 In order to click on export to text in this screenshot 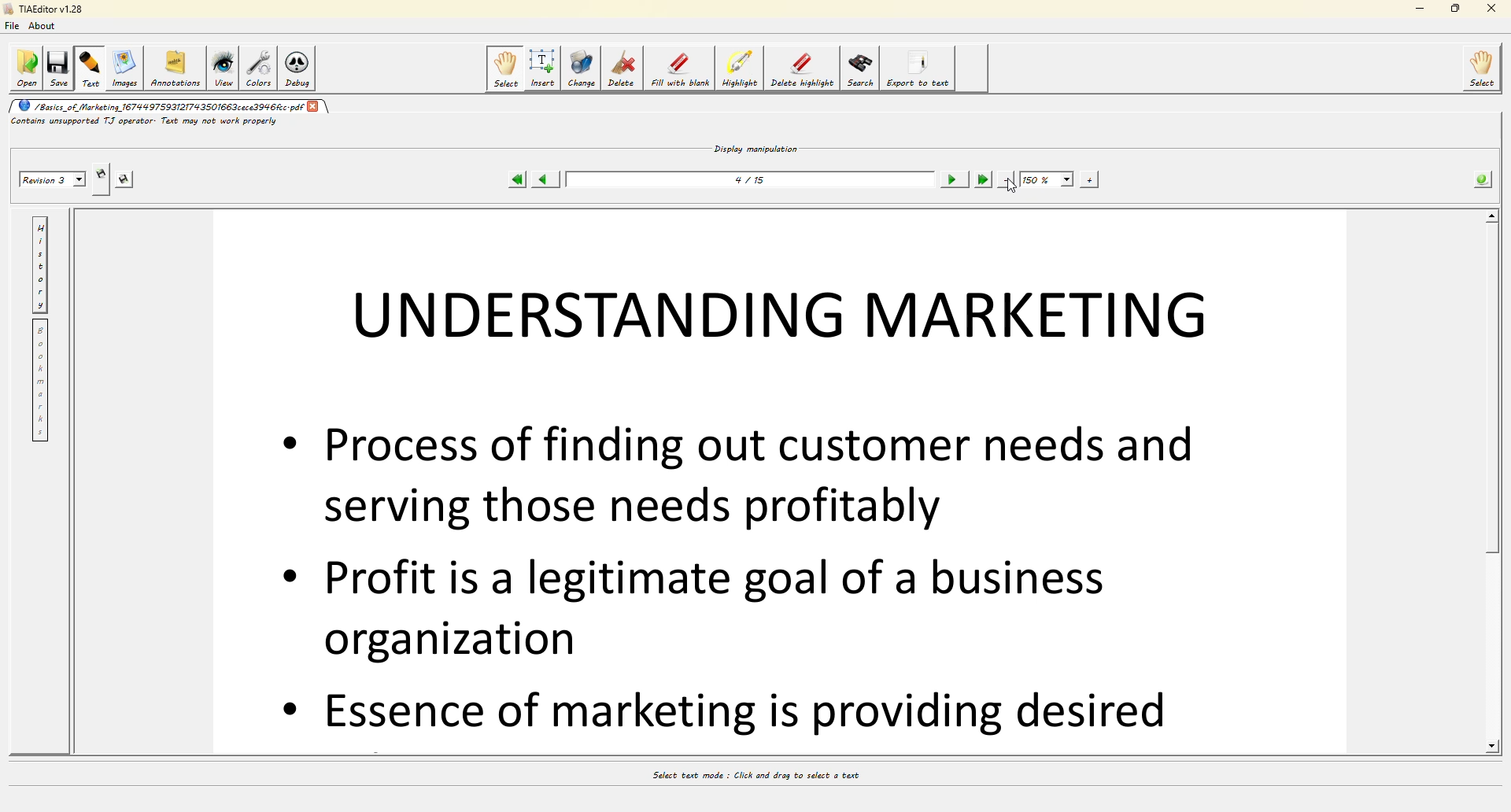, I will do `click(919, 68)`.